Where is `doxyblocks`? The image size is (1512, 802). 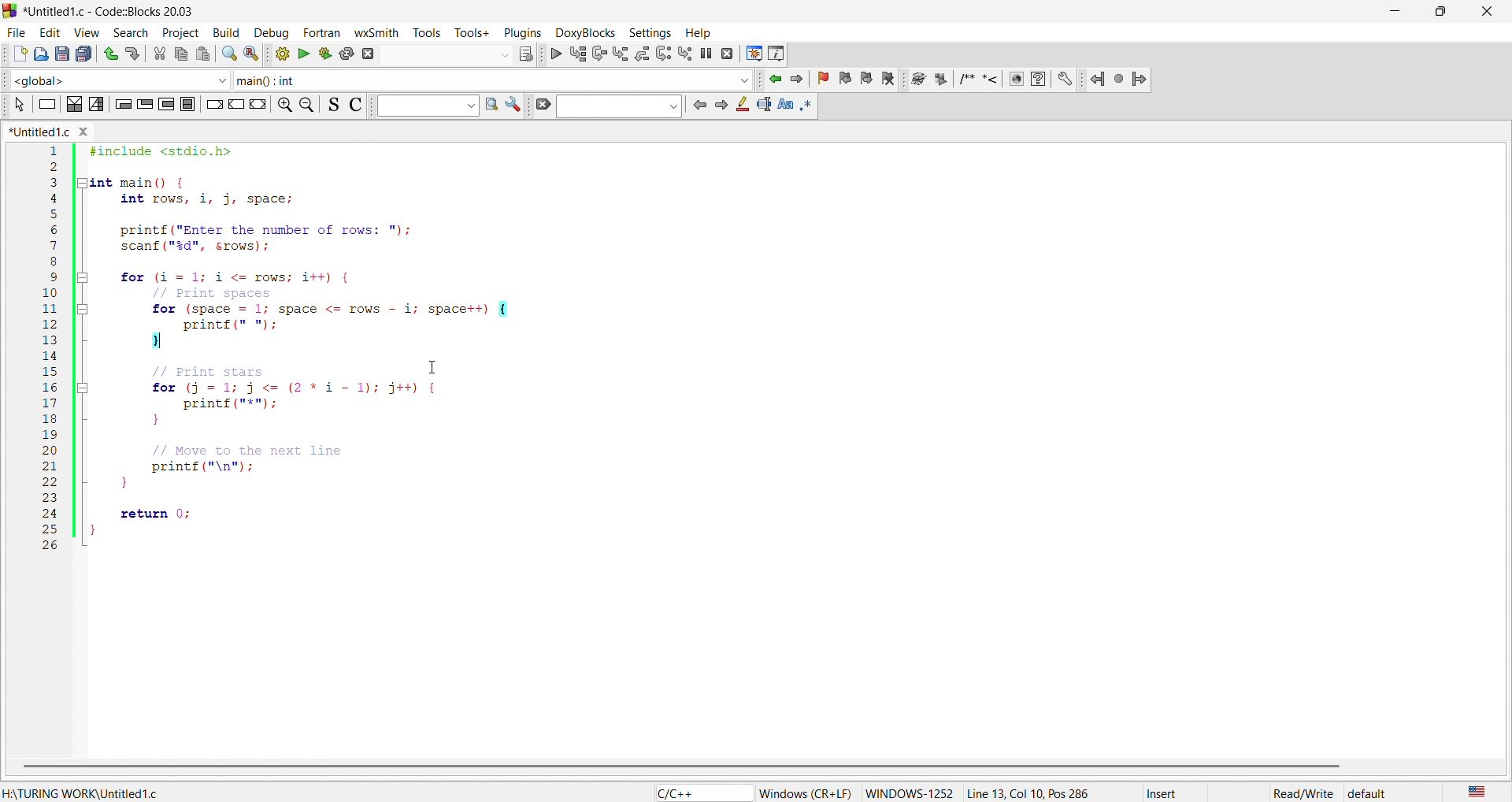 doxyblocks is located at coordinates (584, 32).